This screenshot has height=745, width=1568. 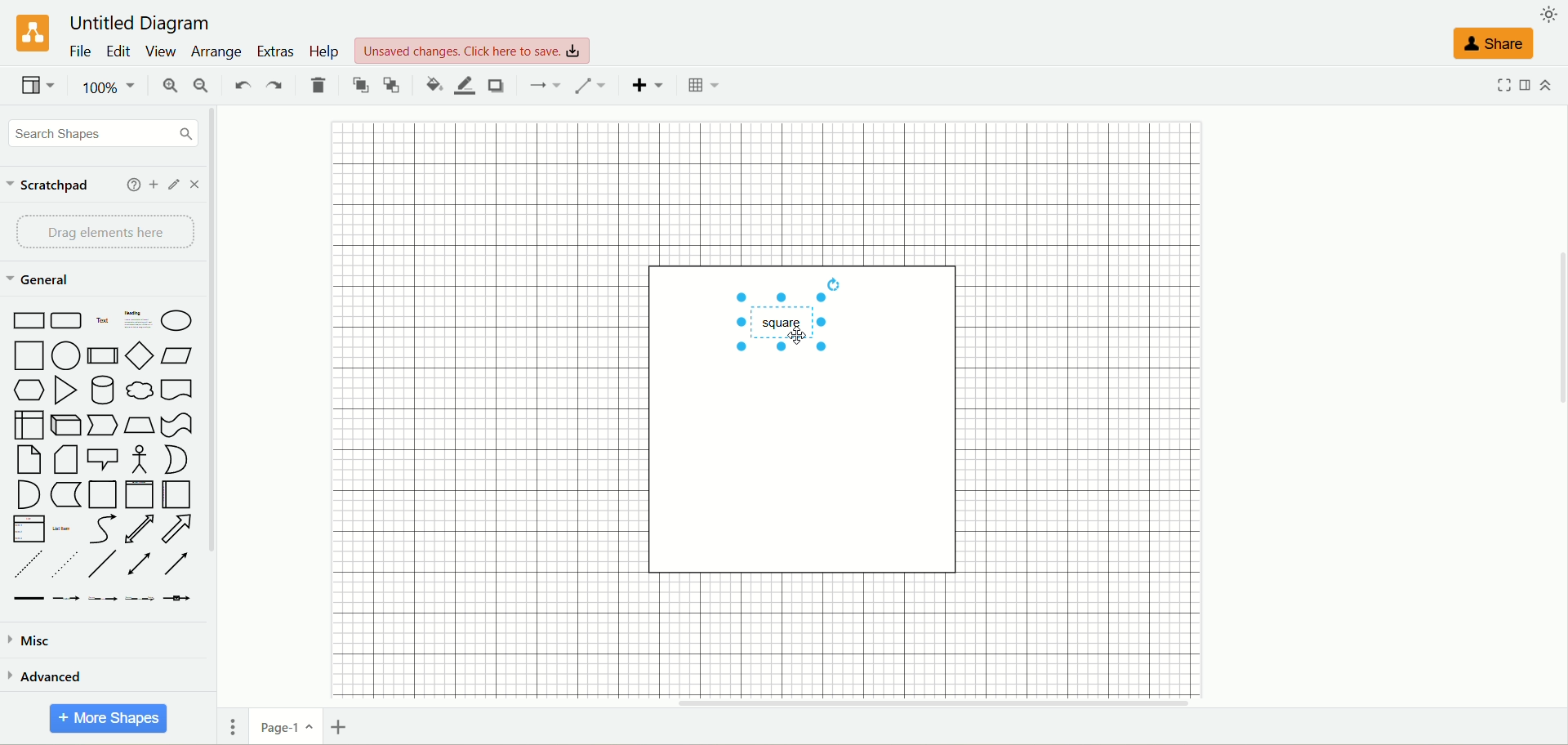 What do you see at coordinates (31, 34) in the screenshot?
I see `logo` at bounding box center [31, 34].